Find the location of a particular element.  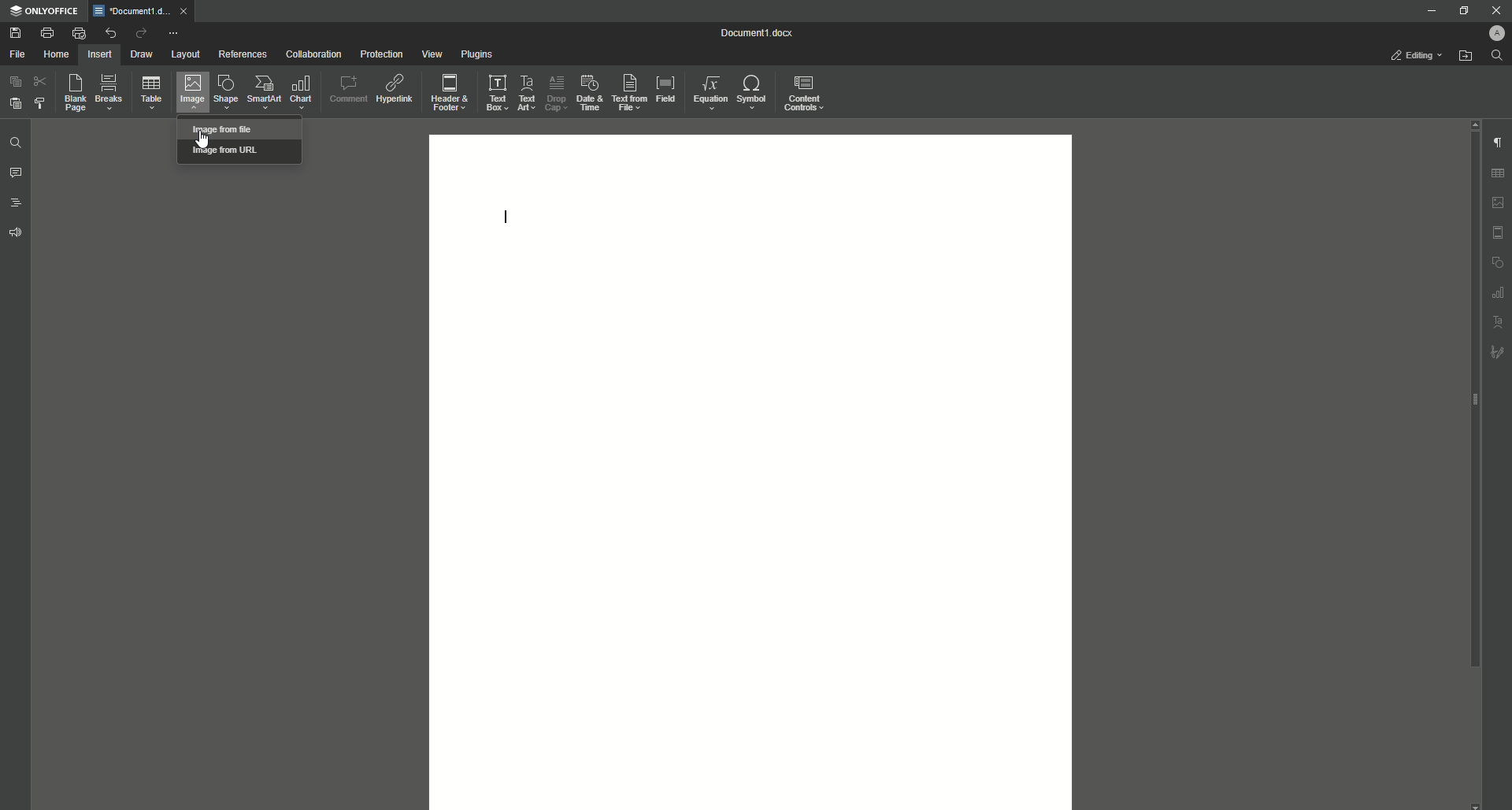

Shape is located at coordinates (226, 91).